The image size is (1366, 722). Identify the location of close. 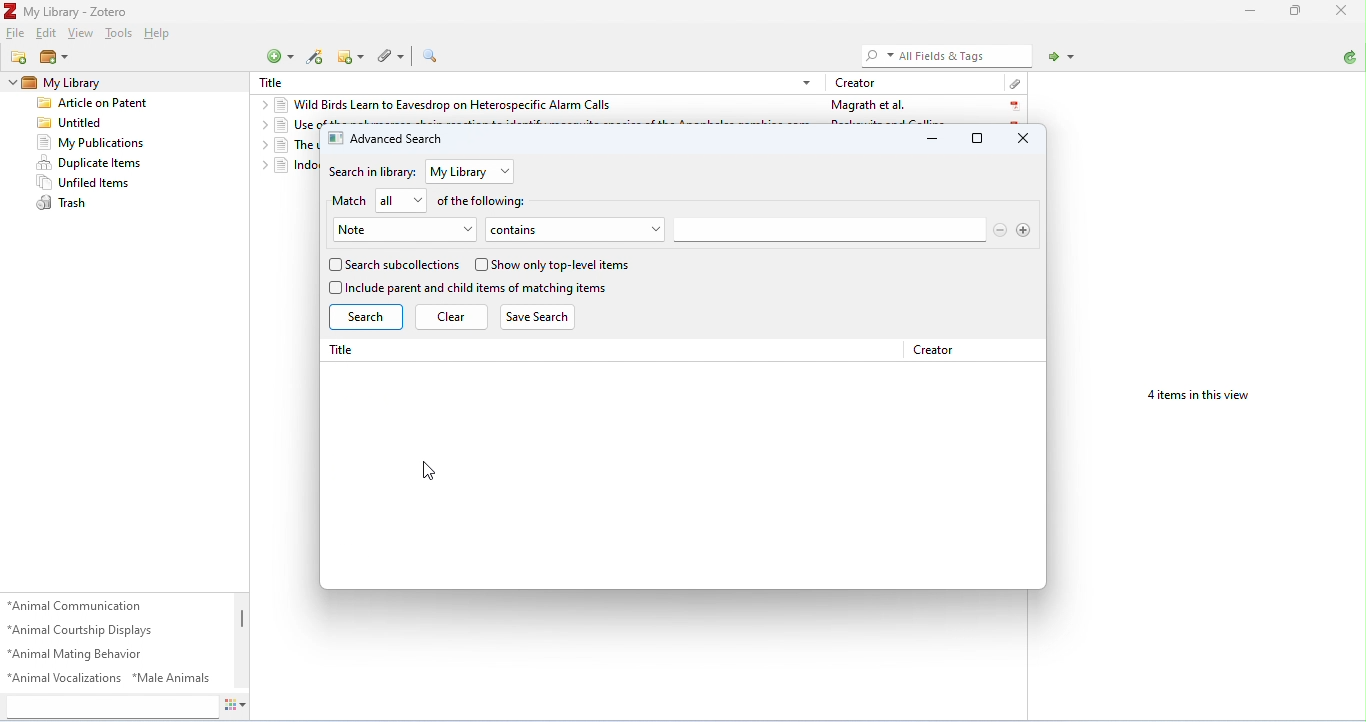
(1025, 139).